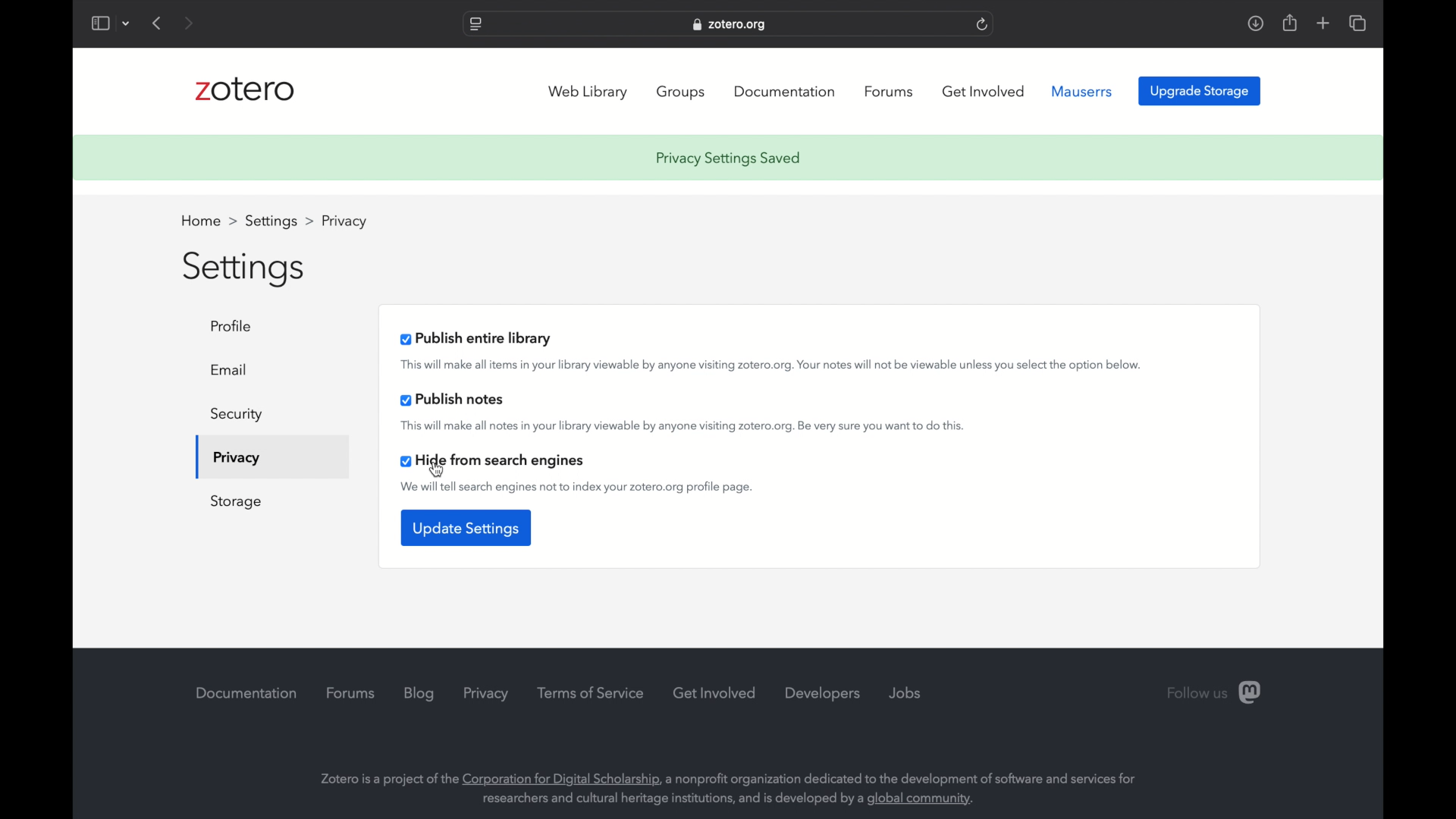  Describe the element at coordinates (984, 91) in the screenshot. I see `get involved` at that location.